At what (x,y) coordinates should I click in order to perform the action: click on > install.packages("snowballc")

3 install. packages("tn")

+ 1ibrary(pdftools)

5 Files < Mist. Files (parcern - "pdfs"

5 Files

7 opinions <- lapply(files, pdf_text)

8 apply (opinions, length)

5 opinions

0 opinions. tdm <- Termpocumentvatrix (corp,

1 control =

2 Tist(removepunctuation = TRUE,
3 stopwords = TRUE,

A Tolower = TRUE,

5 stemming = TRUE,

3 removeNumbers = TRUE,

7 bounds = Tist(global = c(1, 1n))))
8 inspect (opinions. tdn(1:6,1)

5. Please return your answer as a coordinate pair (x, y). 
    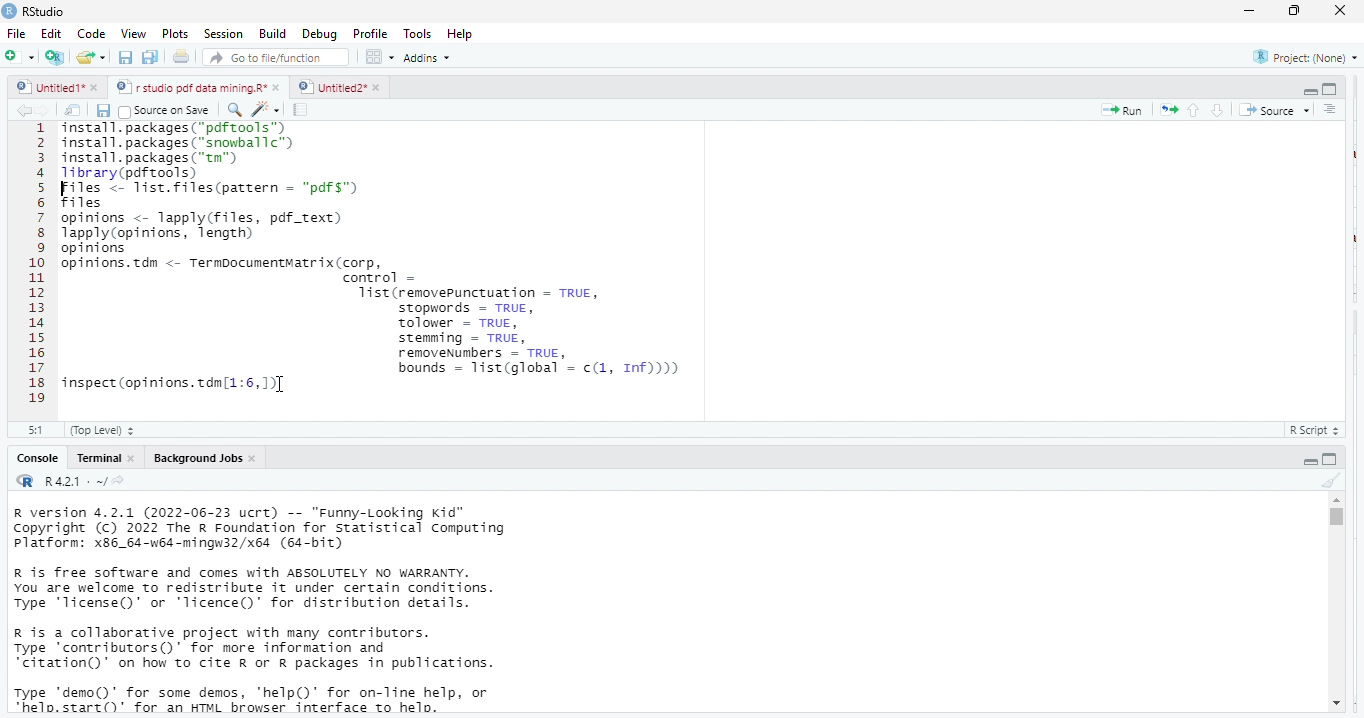
    Looking at the image, I should click on (434, 266).